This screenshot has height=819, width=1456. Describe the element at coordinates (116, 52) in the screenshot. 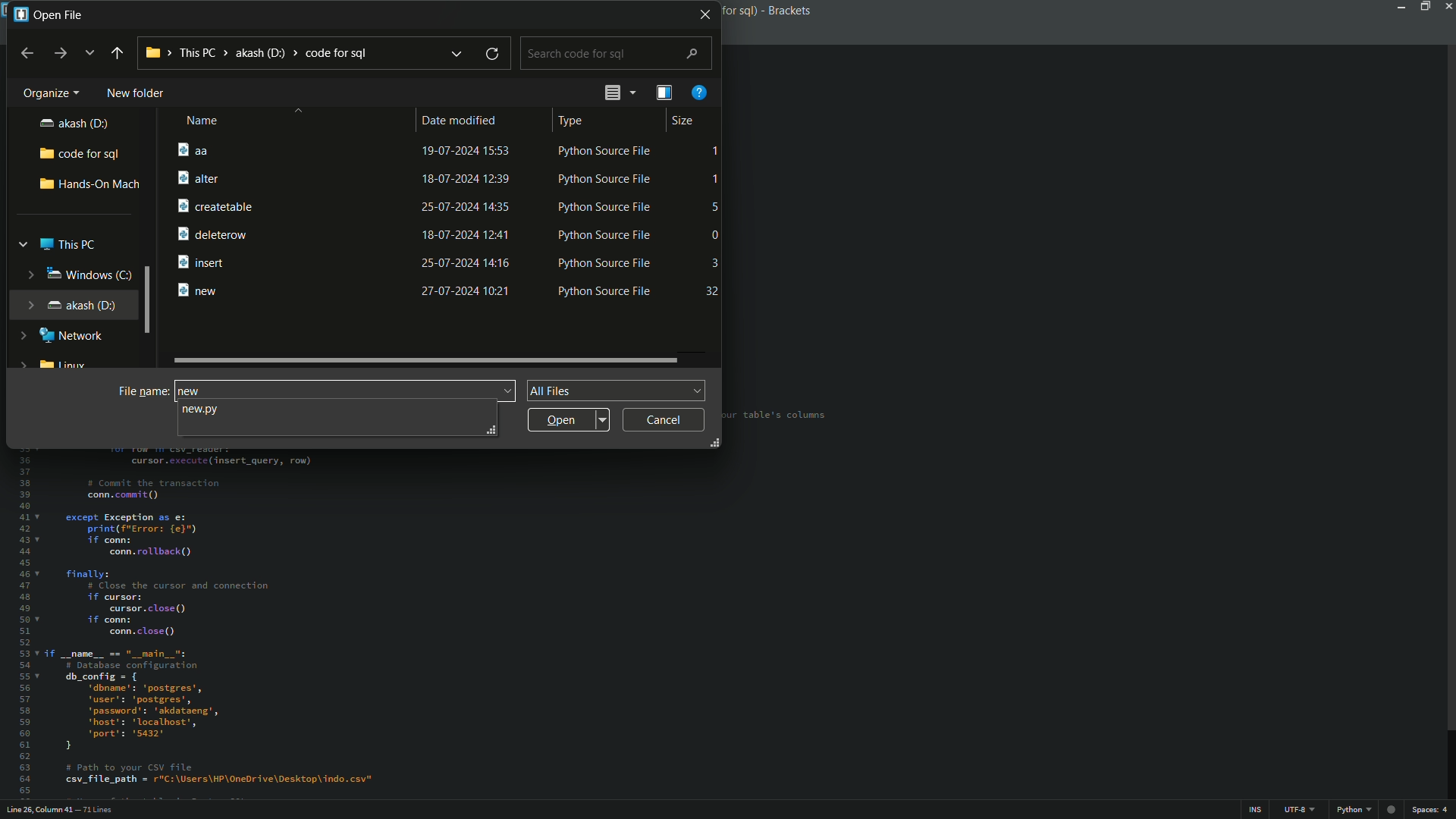

I see `back` at that location.